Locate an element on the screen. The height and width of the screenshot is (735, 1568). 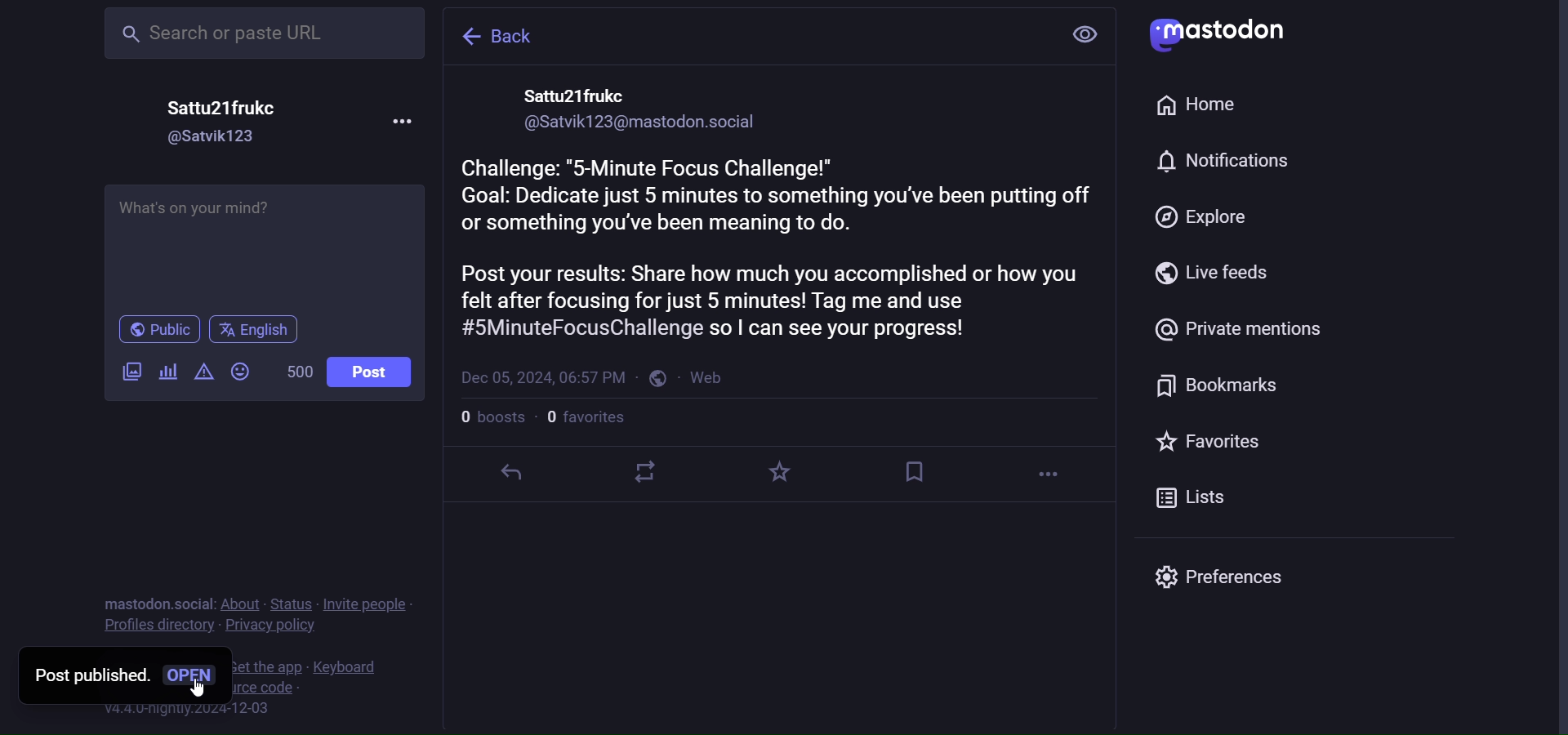
images/videos is located at coordinates (127, 372).